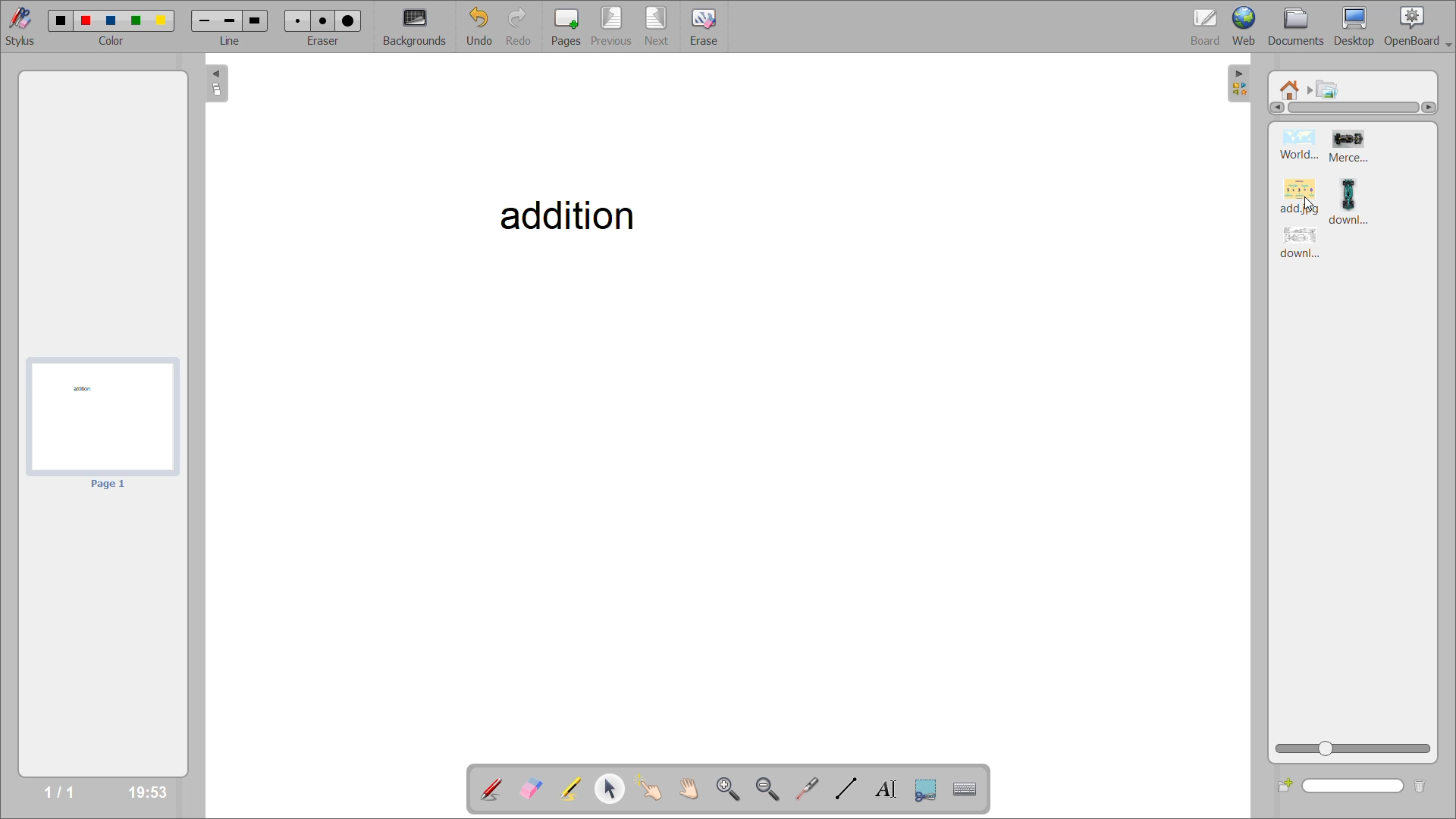 The height and width of the screenshot is (819, 1456). Describe the element at coordinates (349, 20) in the screenshot. I see `eraser 3` at that location.